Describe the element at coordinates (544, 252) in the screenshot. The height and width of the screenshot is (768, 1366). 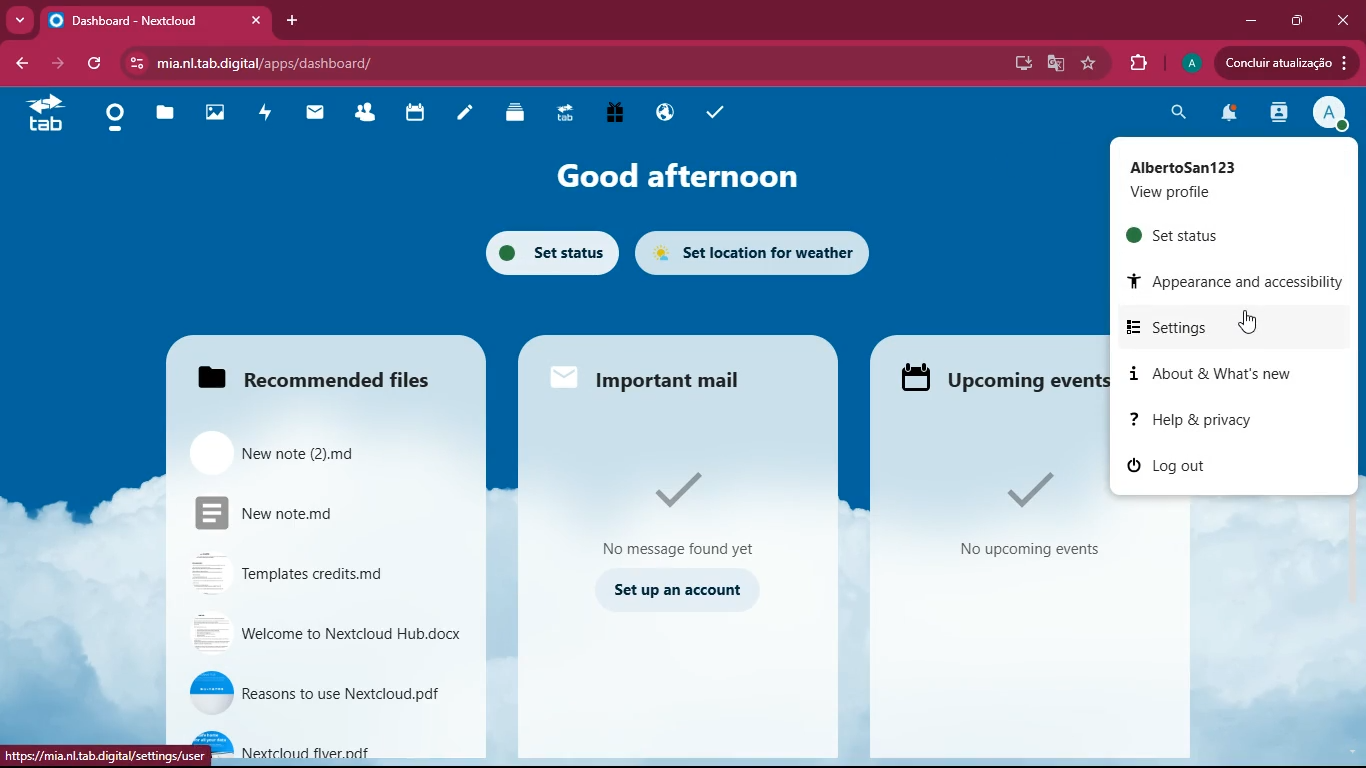
I see `set status` at that location.